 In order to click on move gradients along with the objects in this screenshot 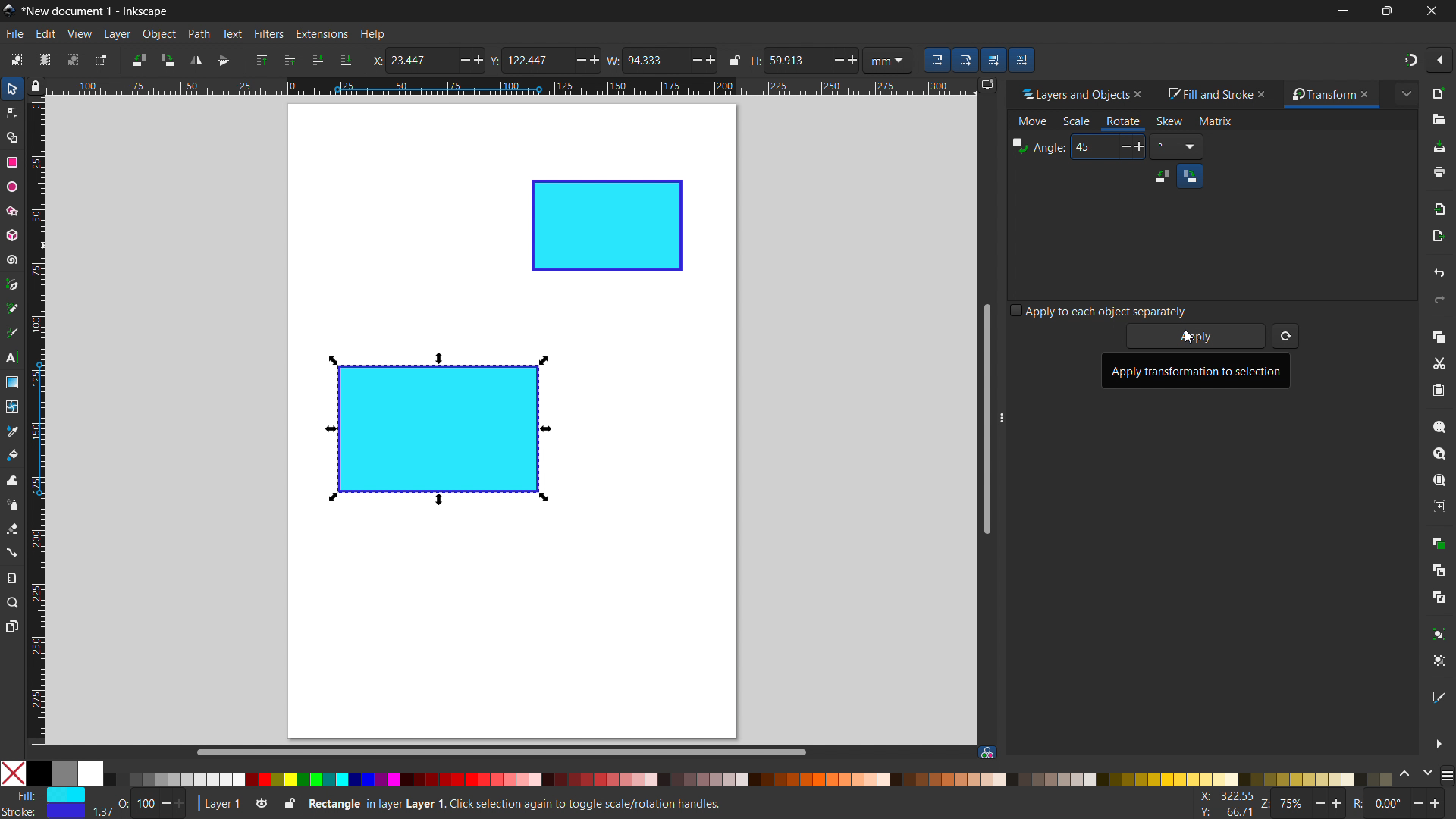, I will do `click(993, 60)`.